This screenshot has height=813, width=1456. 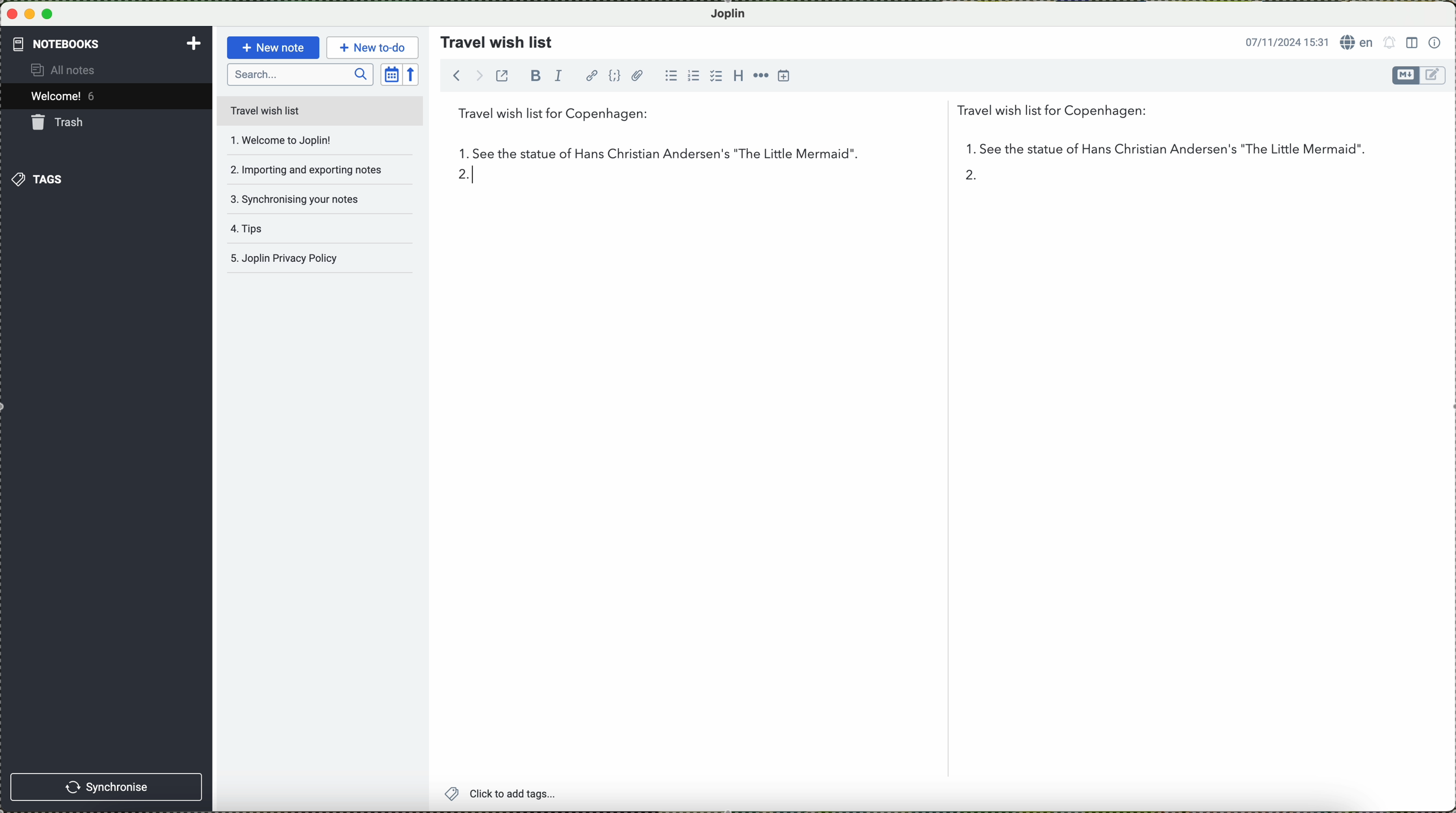 What do you see at coordinates (461, 78) in the screenshot?
I see `navigate` at bounding box center [461, 78].